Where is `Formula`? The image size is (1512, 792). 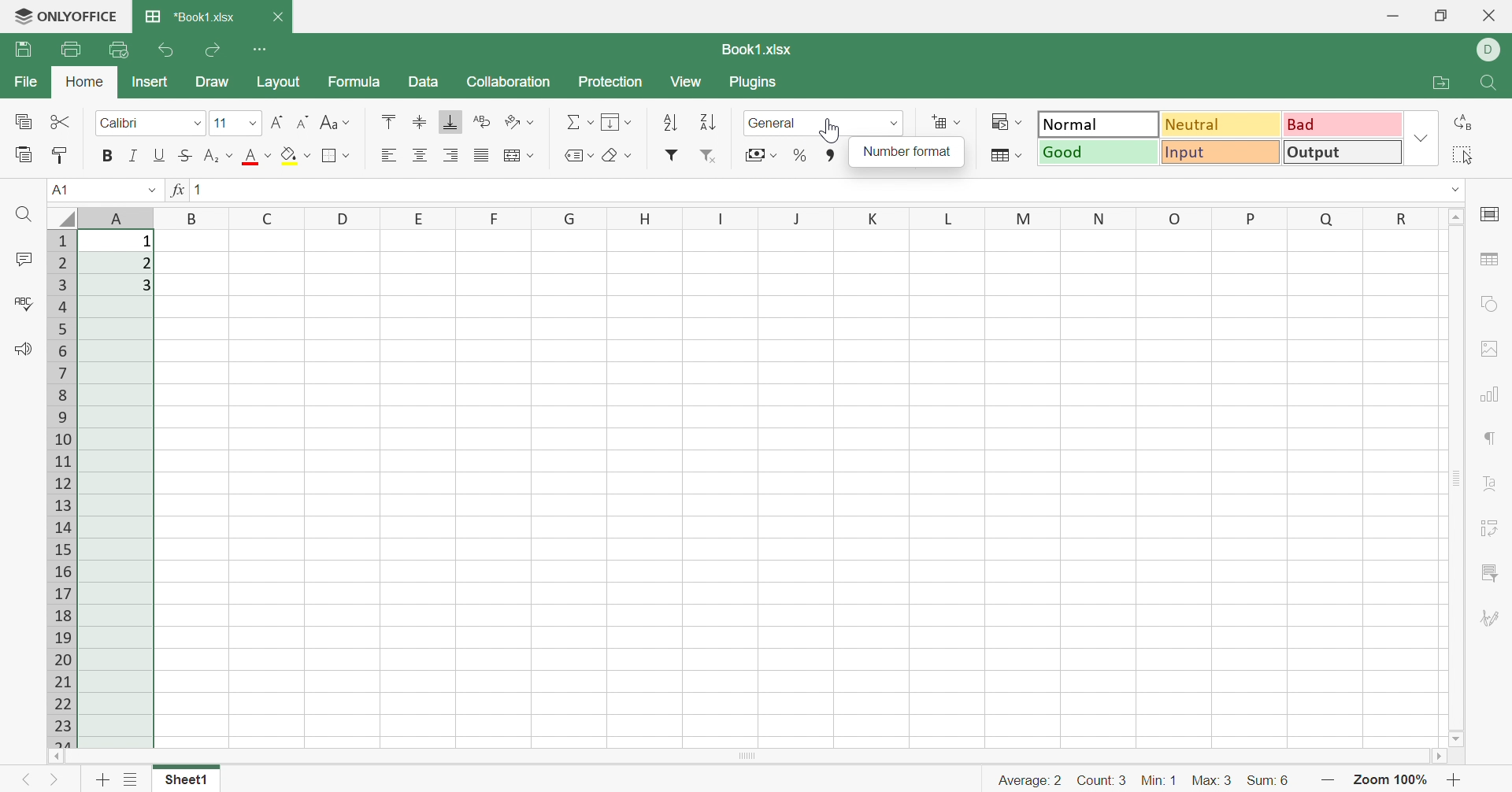 Formula is located at coordinates (354, 81).